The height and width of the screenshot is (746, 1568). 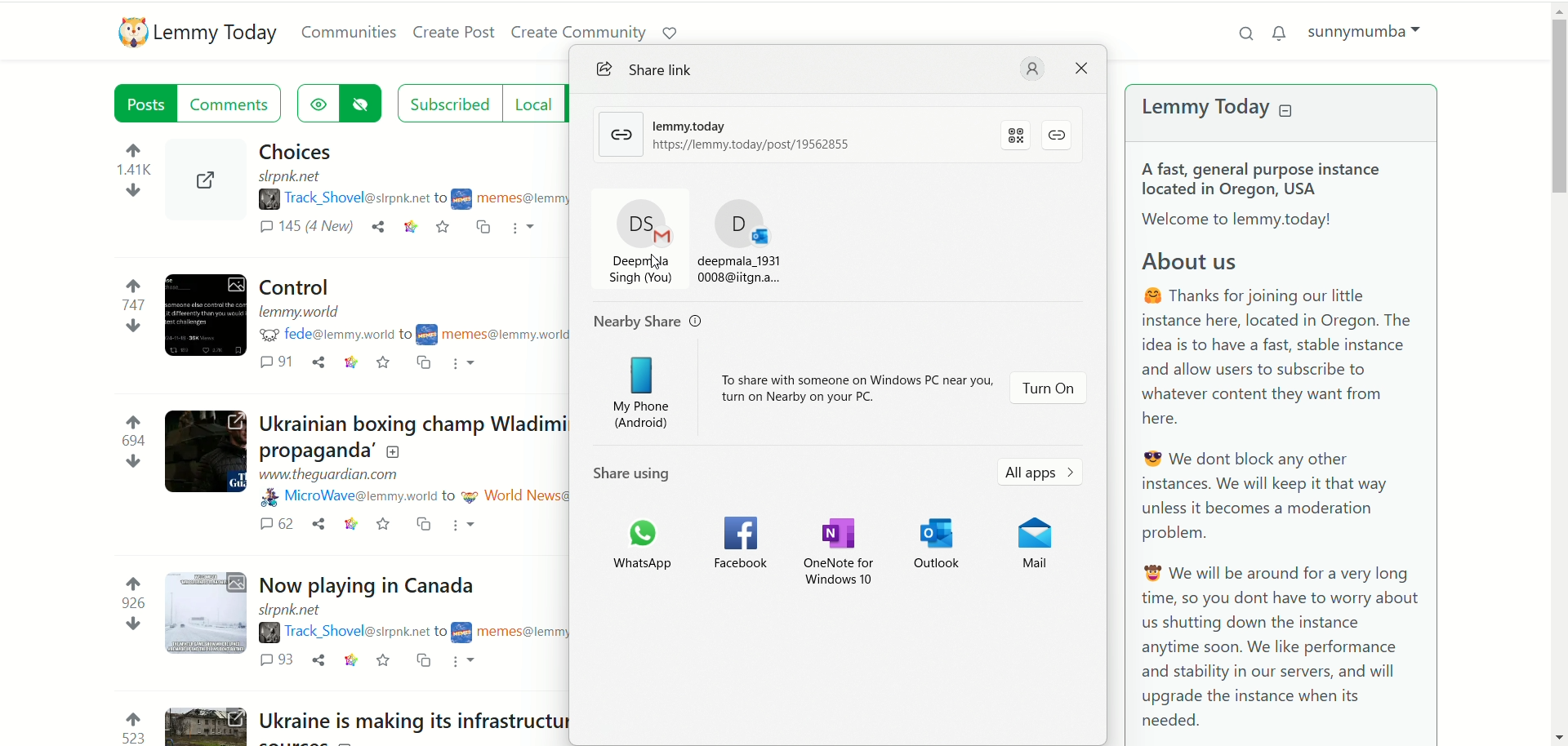 I want to click on community, so click(x=492, y=331).